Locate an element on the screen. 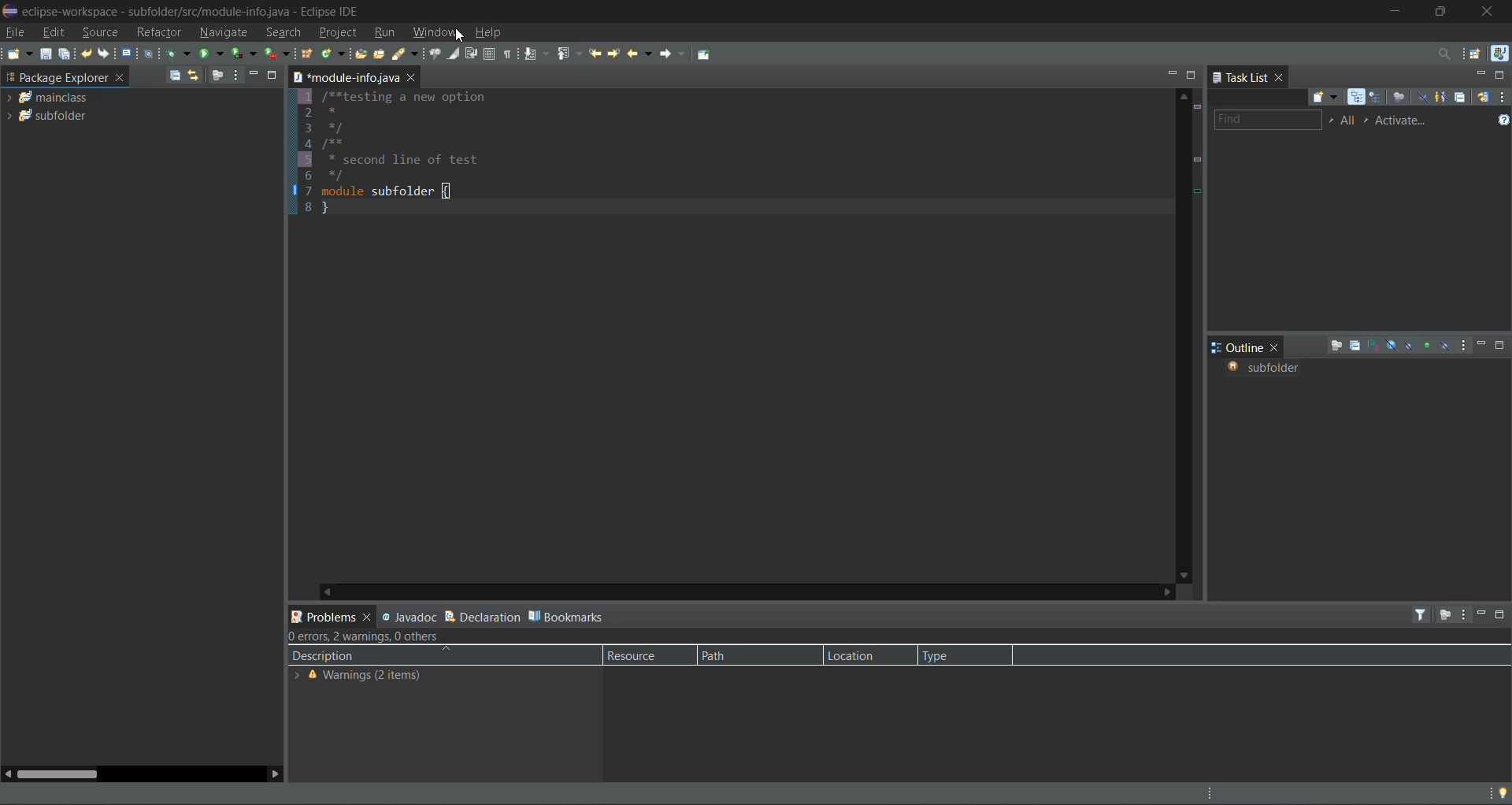 The width and height of the screenshot is (1512, 805). maximize is located at coordinates (1503, 77).